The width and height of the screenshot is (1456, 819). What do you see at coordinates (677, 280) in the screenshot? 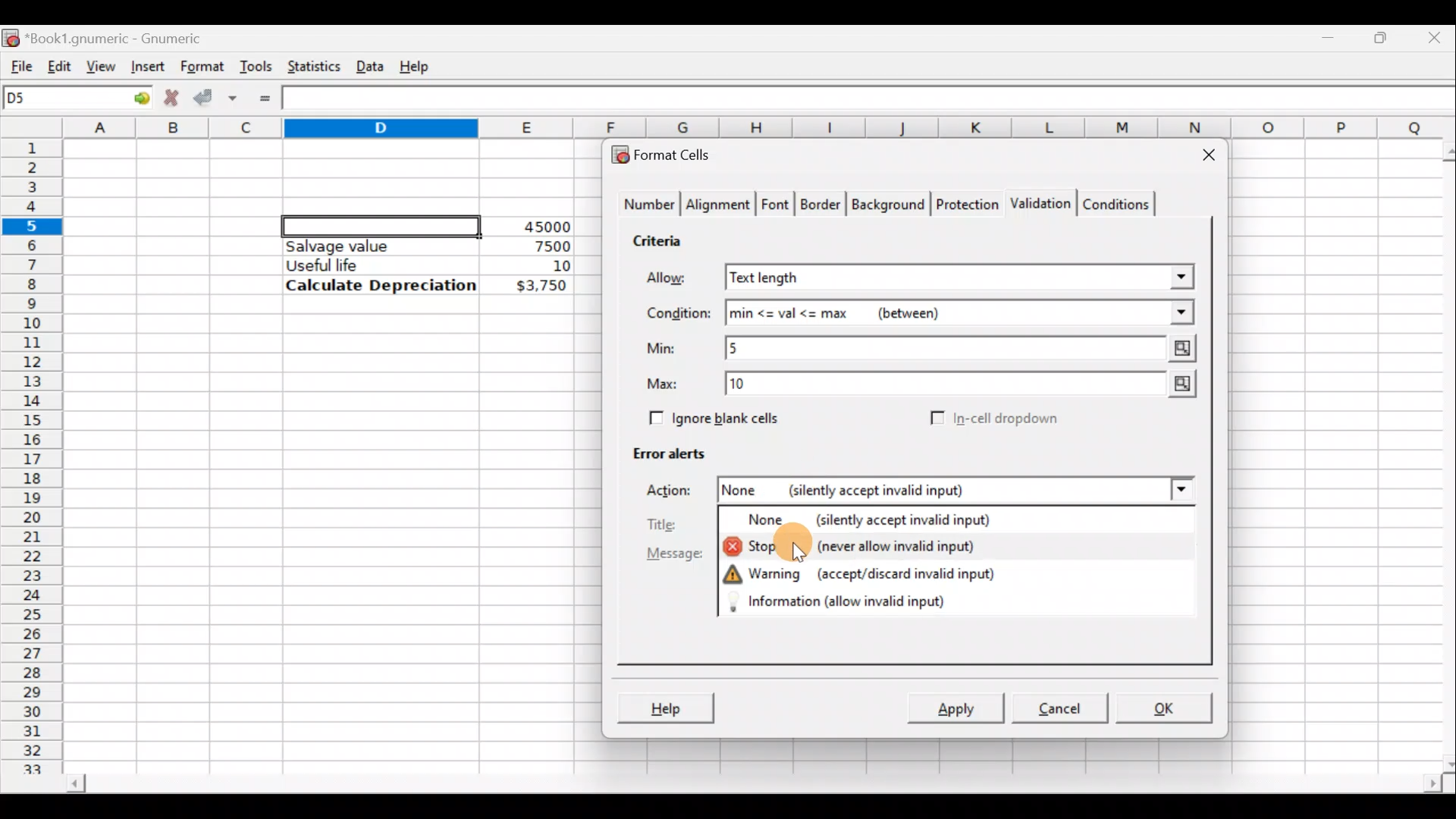
I see `Allow` at bounding box center [677, 280].